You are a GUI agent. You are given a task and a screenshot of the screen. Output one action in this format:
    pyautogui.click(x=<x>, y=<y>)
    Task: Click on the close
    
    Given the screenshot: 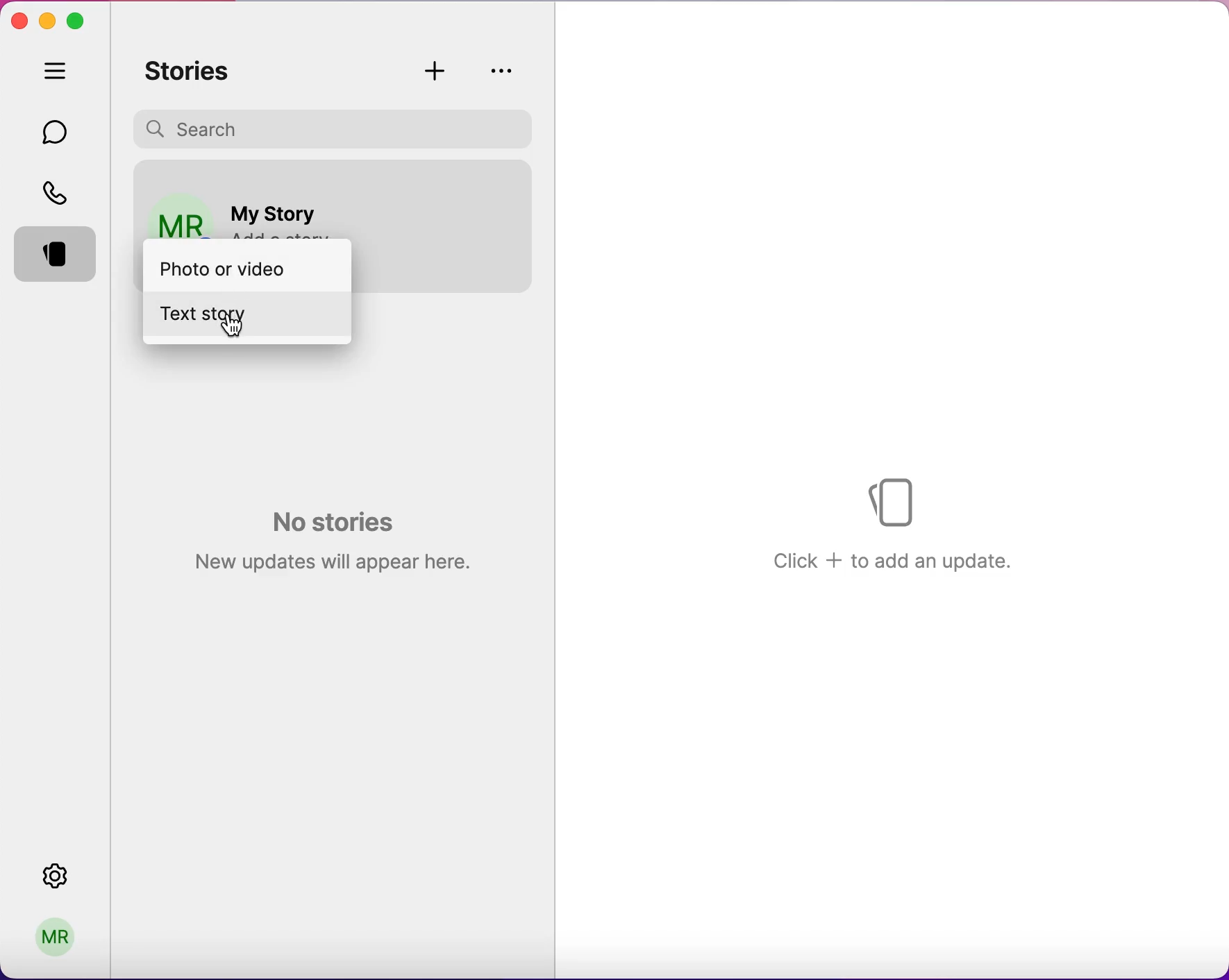 What is the action you would take?
    pyautogui.click(x=19, y=22)
    